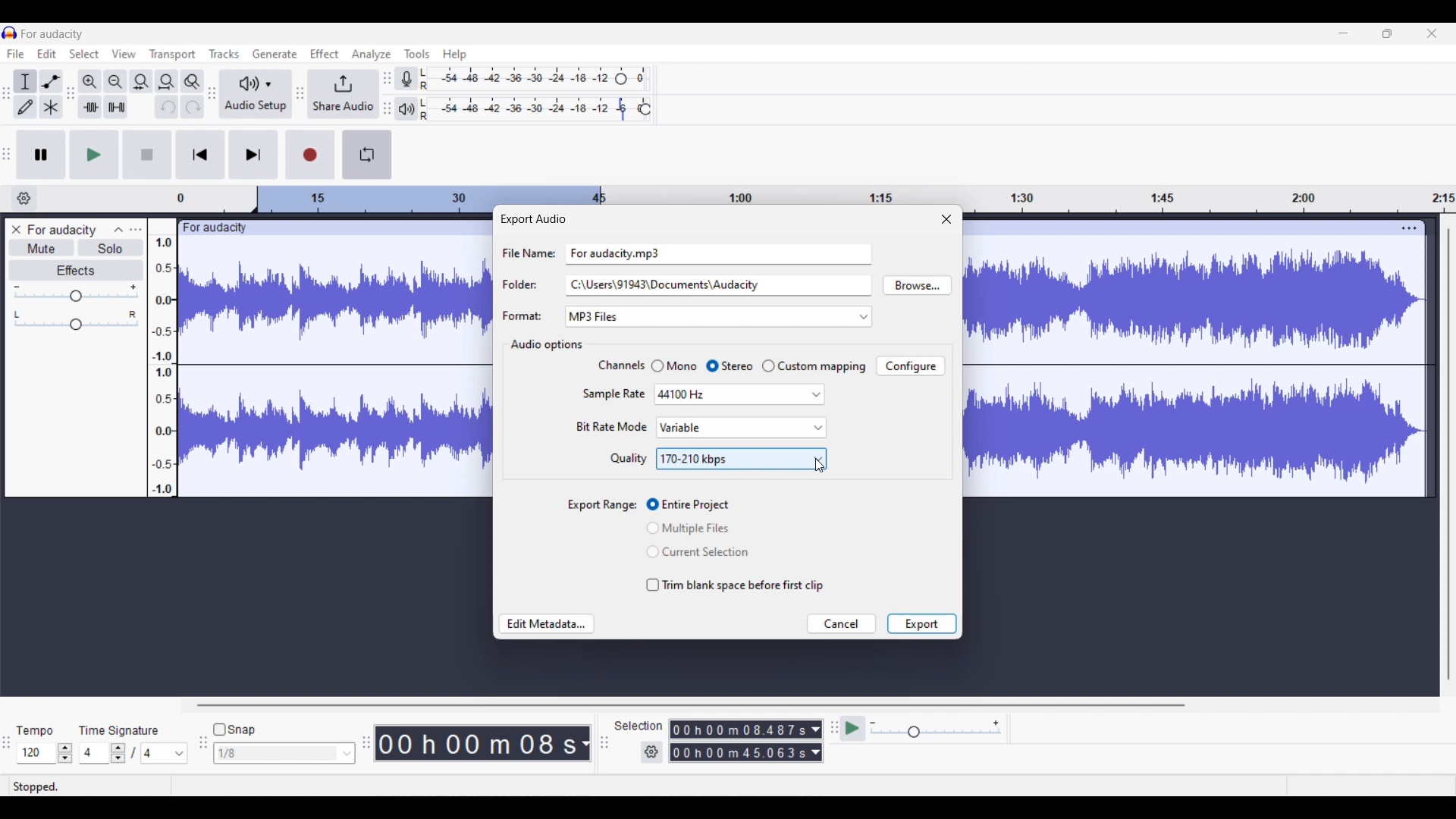 The image size is (1456, 819). What do you see at coordinates (76, 321) in the screenshot?
I see `Pan scale` at bounding box center [76, 321].